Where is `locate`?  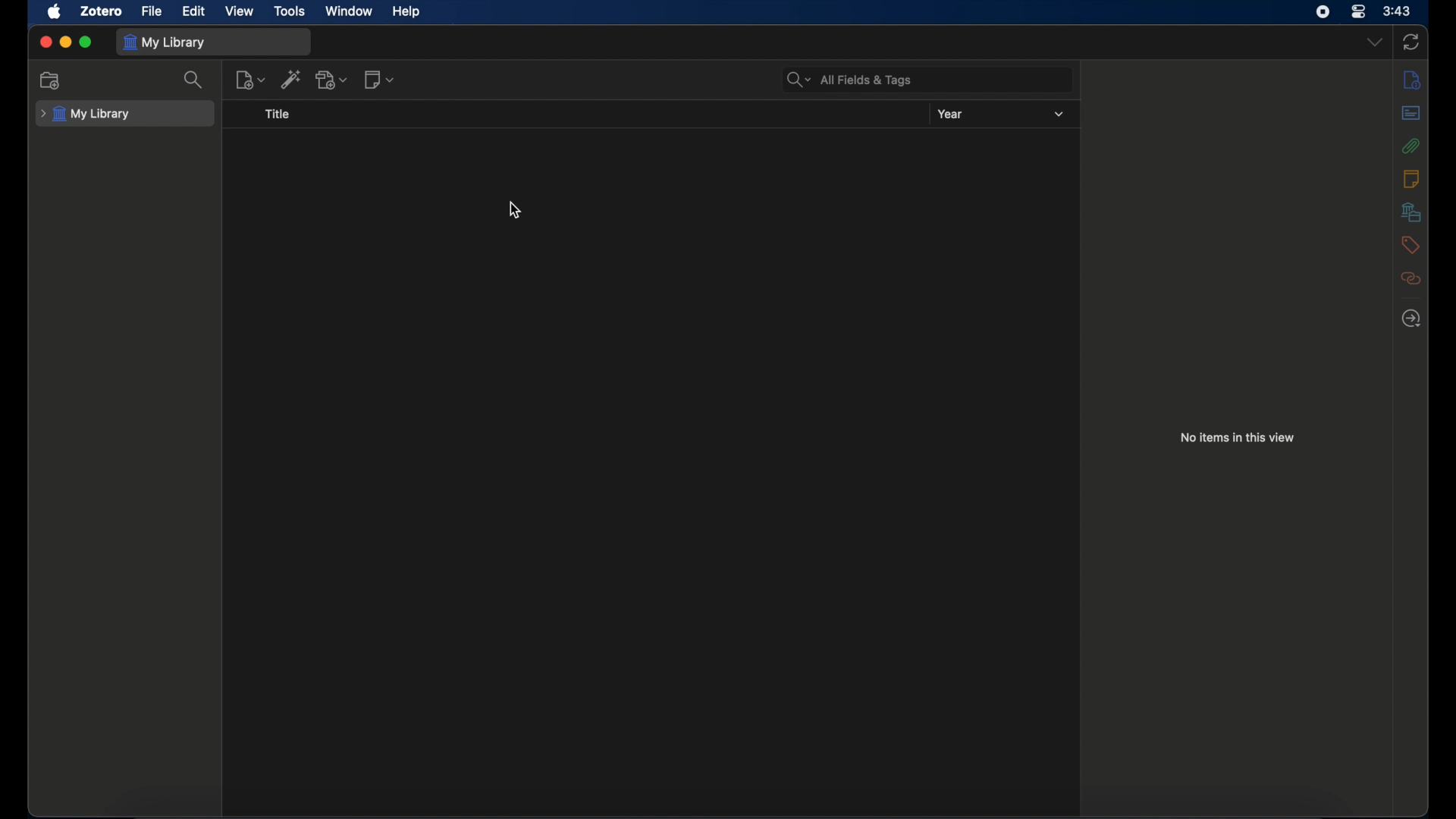 locate is located at coordinates (1410, 318).